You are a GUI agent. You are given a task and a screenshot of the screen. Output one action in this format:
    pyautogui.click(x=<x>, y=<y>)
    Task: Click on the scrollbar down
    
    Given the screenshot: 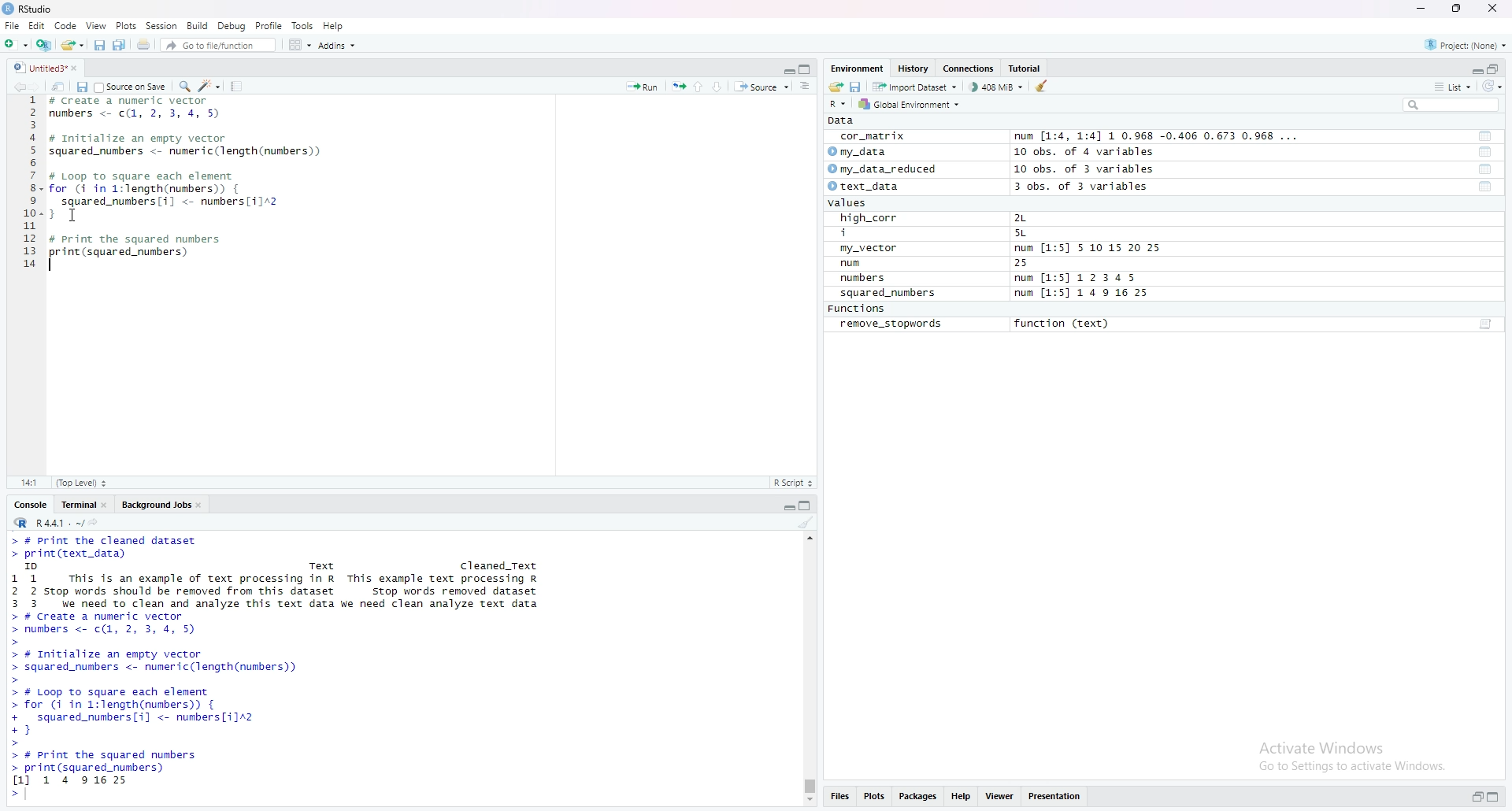 What is the action you would take?
    pyautogui.click(x=808, y=802)
    